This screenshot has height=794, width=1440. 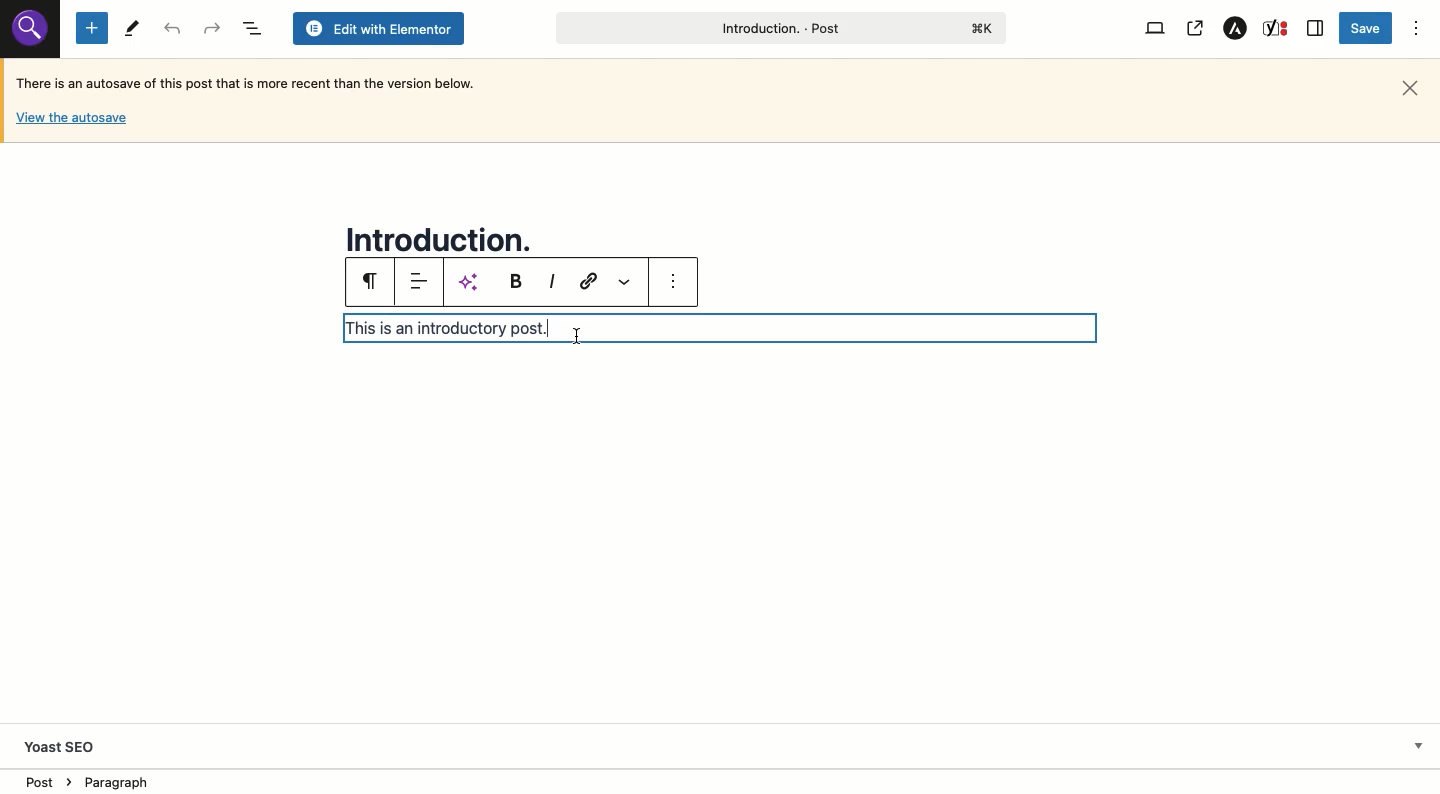 What do you see at coordinates (71, 121) in the screenshot?
I see `View autosave` at bounding box center [71, 121].